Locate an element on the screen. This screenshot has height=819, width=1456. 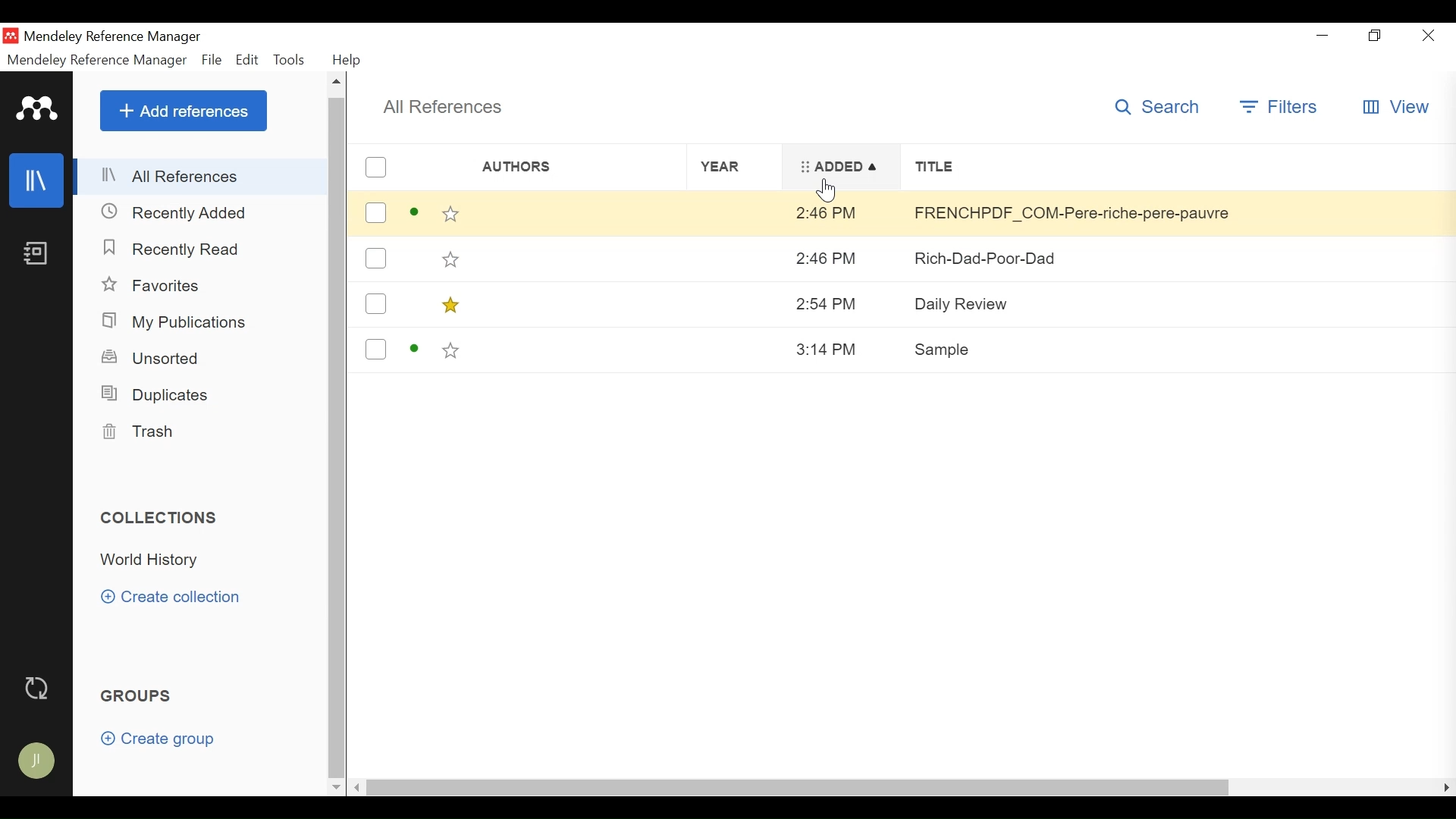
Recently Added is located at coordinates (176, 213).